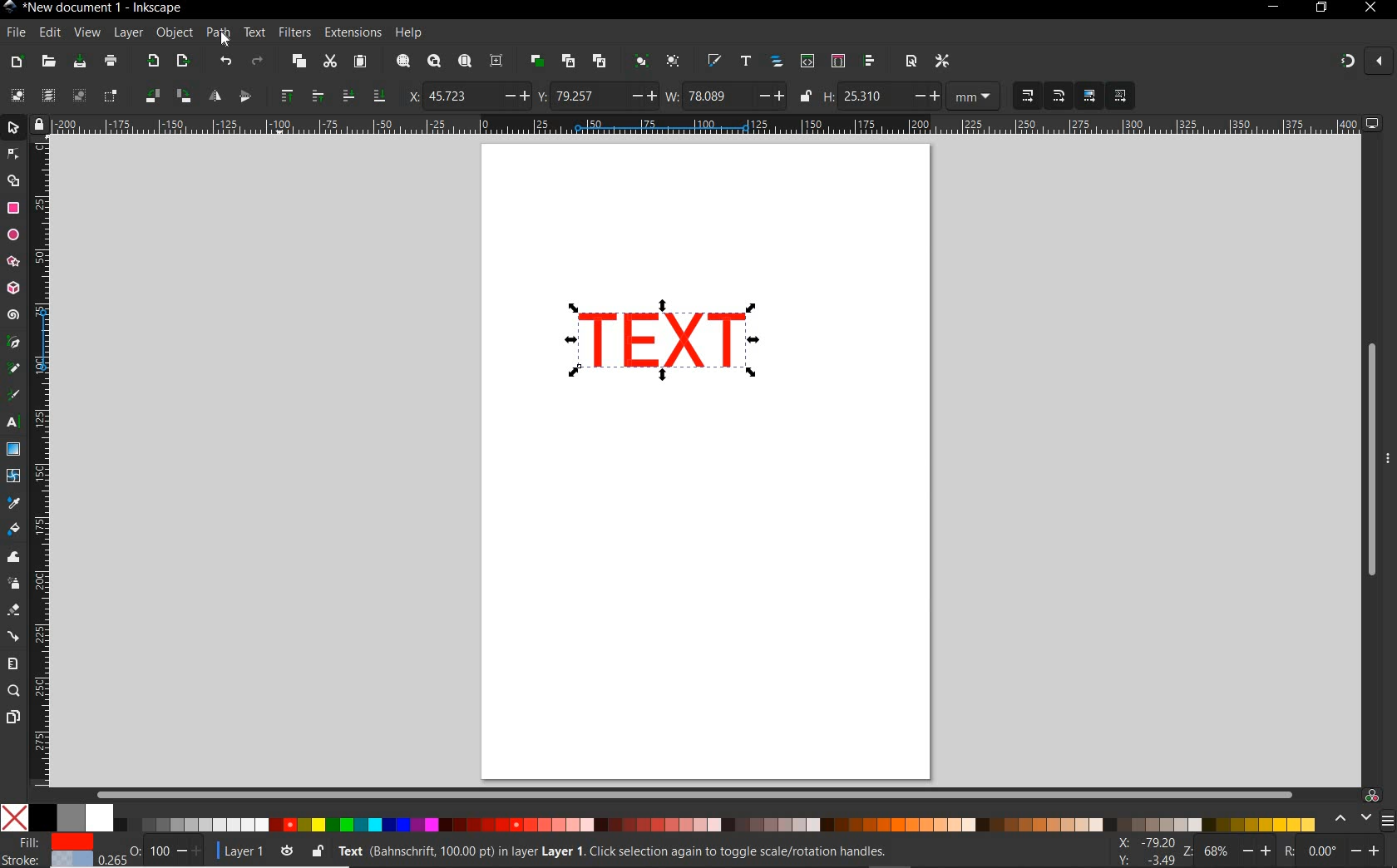 Image resolution: width=1397 pixels, height=868 pixels. Describe the element at coordinates (407, 34) in the screenshot. I see `HELP` at that location.